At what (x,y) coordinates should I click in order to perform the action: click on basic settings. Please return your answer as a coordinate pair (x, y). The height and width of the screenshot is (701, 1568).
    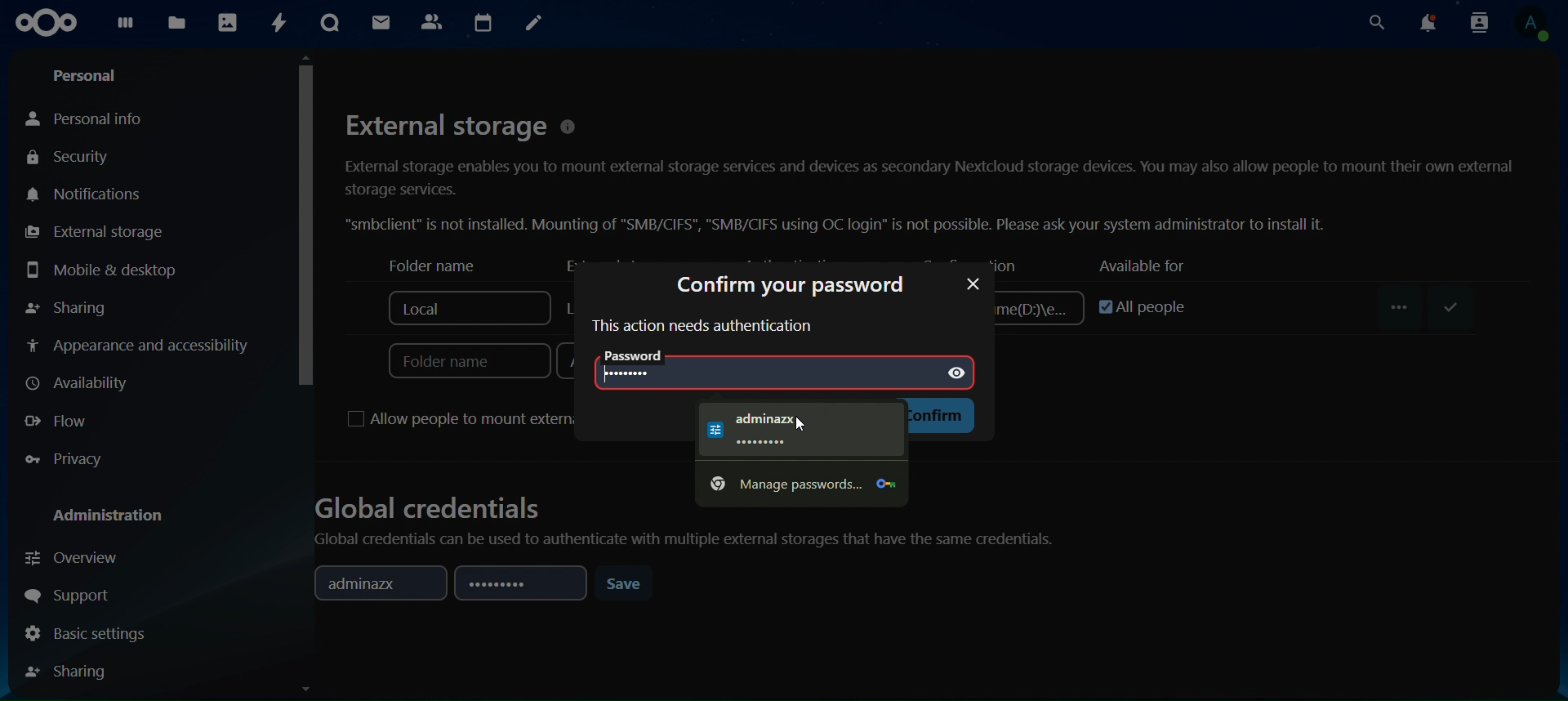
    Looking at the image, I should click on (88, 633).